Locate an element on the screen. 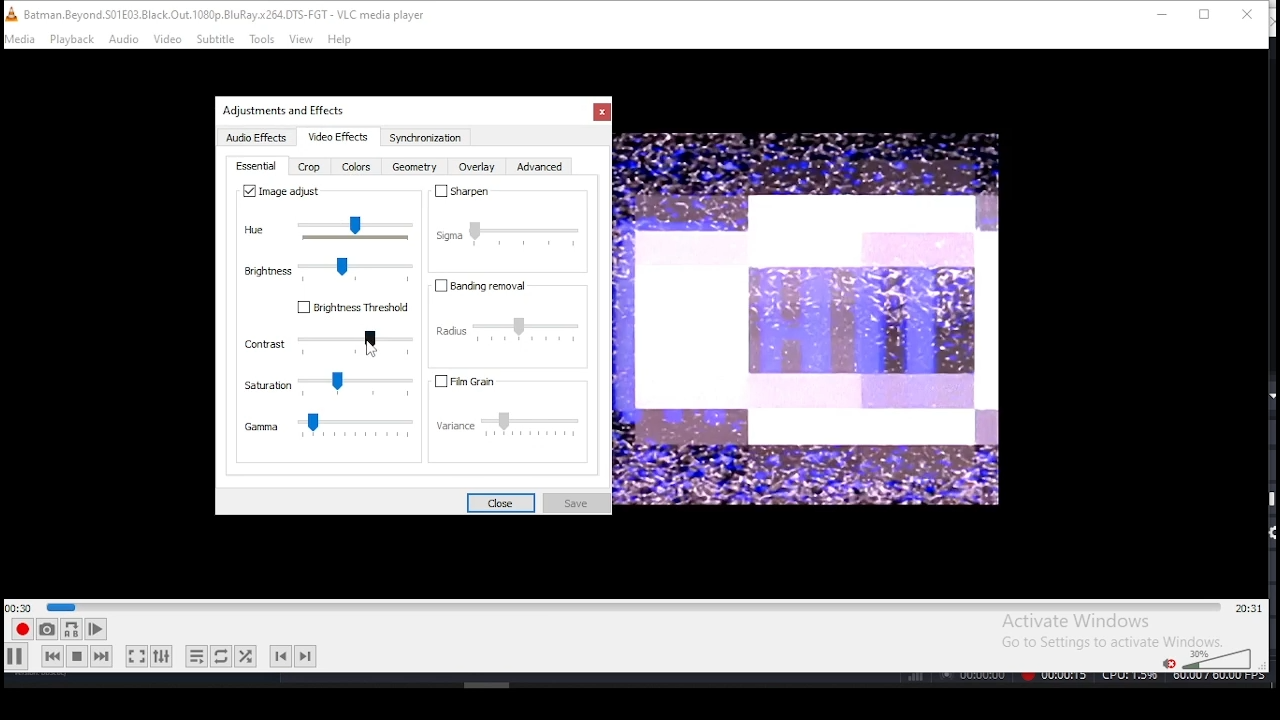 Image resolution: width=1280 pixels, height=720 pixels. audio effects is located at coordinates (259, 139).